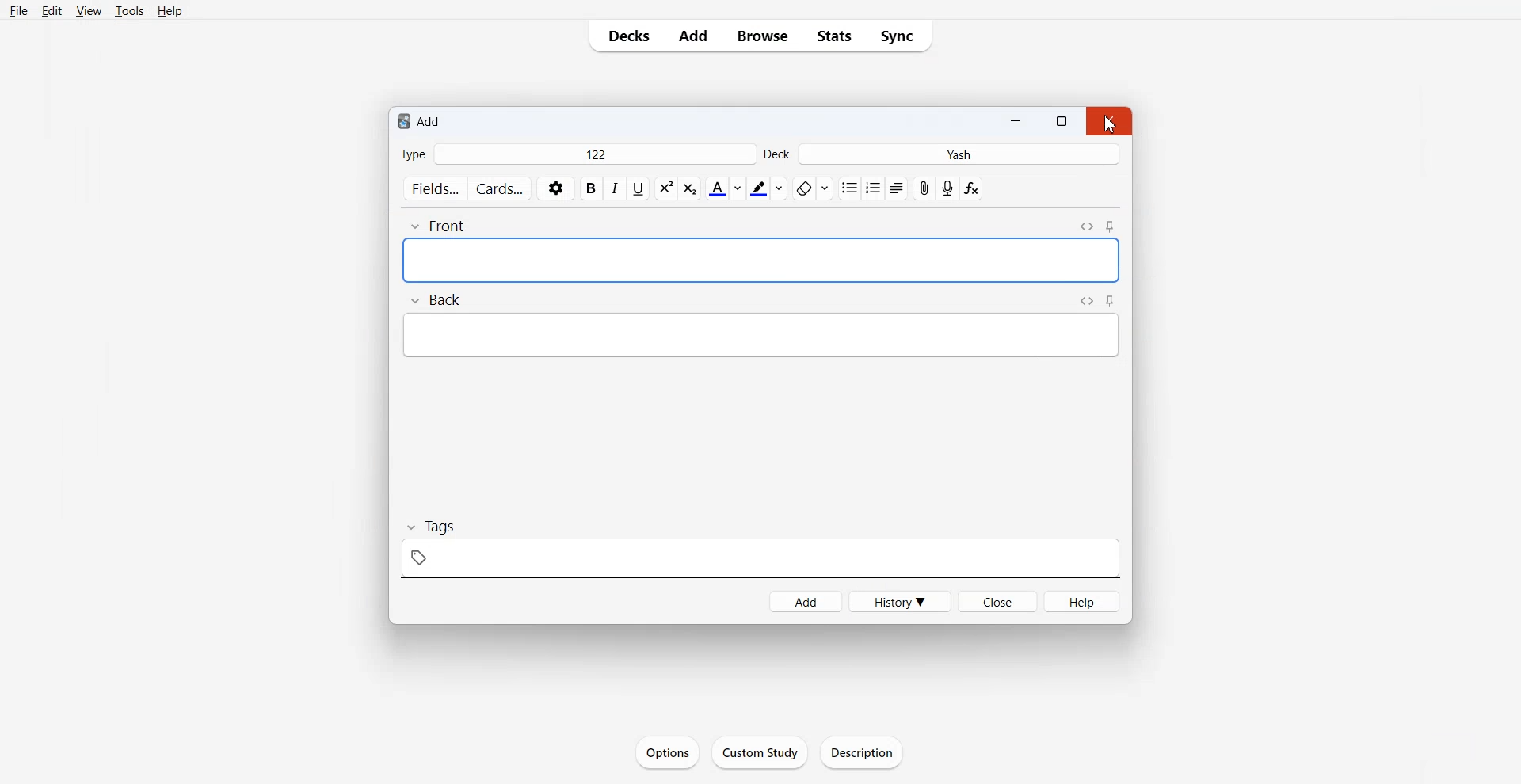 The width and height of the screenshot is (1521, 784). What do you see at coordinates (1112, 302) in the screenshot?
I see `Toggle sticky` at bounding box center [1112, 302].